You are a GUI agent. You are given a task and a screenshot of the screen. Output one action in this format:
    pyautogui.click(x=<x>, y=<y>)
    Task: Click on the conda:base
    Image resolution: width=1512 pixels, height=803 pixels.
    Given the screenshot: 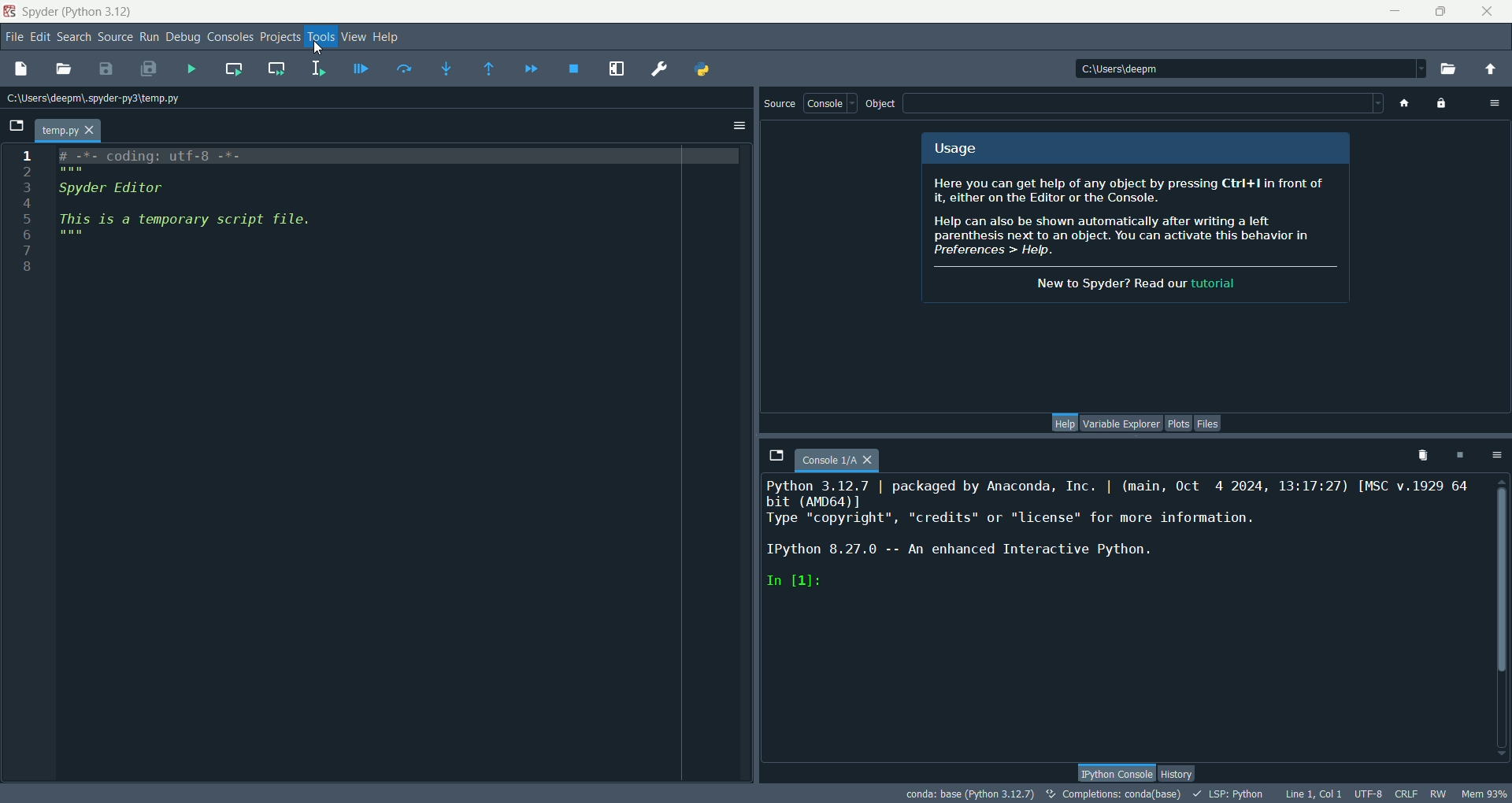 What is the action you would take?
    pyautogui.click(x=968, y=794)
    